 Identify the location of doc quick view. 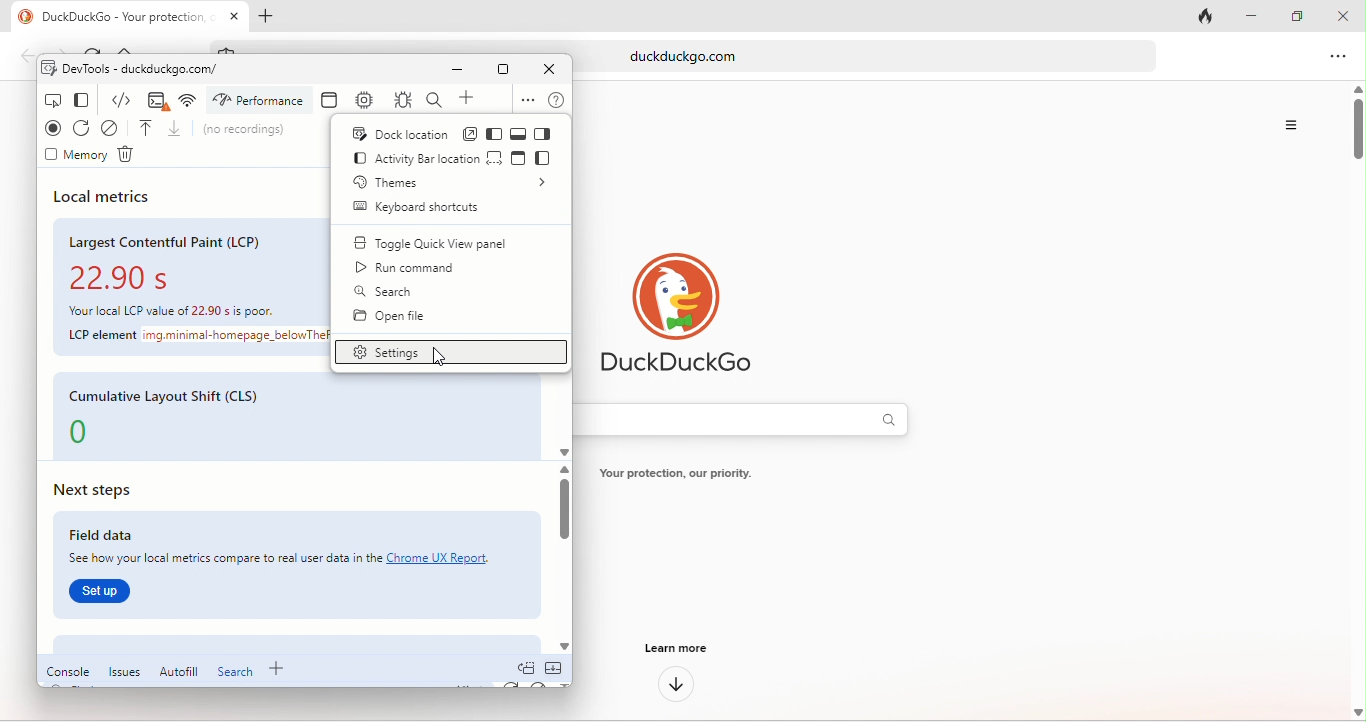
(520, 668).